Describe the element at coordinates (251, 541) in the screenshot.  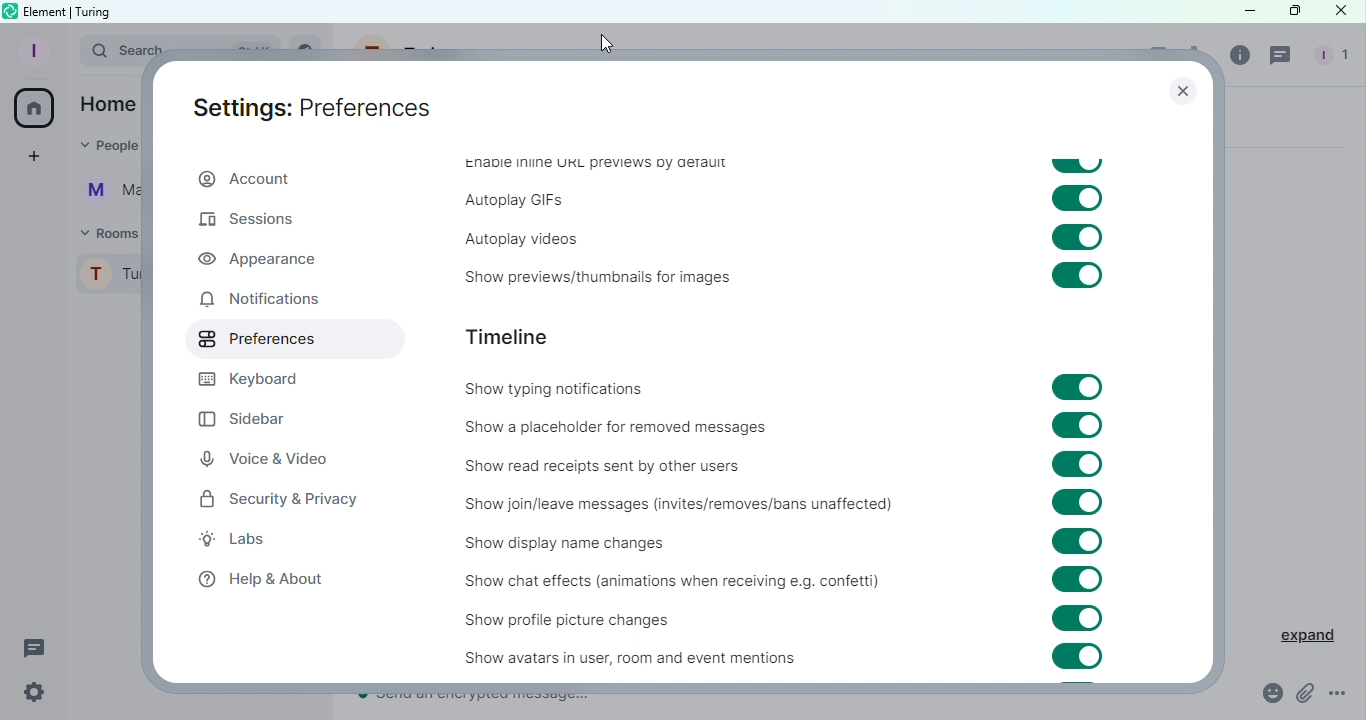
I see `Labs` at that location.